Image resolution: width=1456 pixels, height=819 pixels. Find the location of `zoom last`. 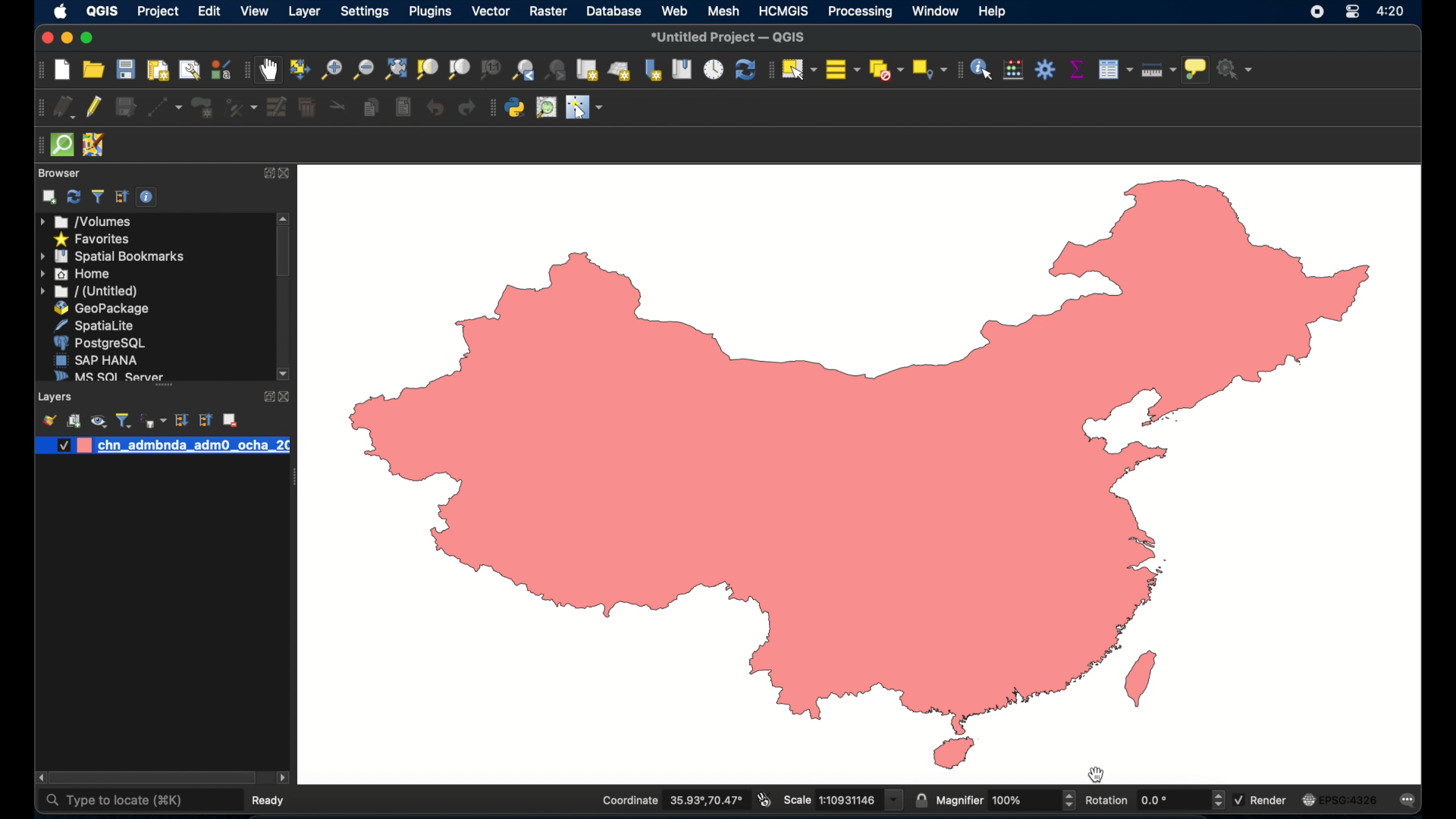

zoom last is located at coordinates (524, 71).